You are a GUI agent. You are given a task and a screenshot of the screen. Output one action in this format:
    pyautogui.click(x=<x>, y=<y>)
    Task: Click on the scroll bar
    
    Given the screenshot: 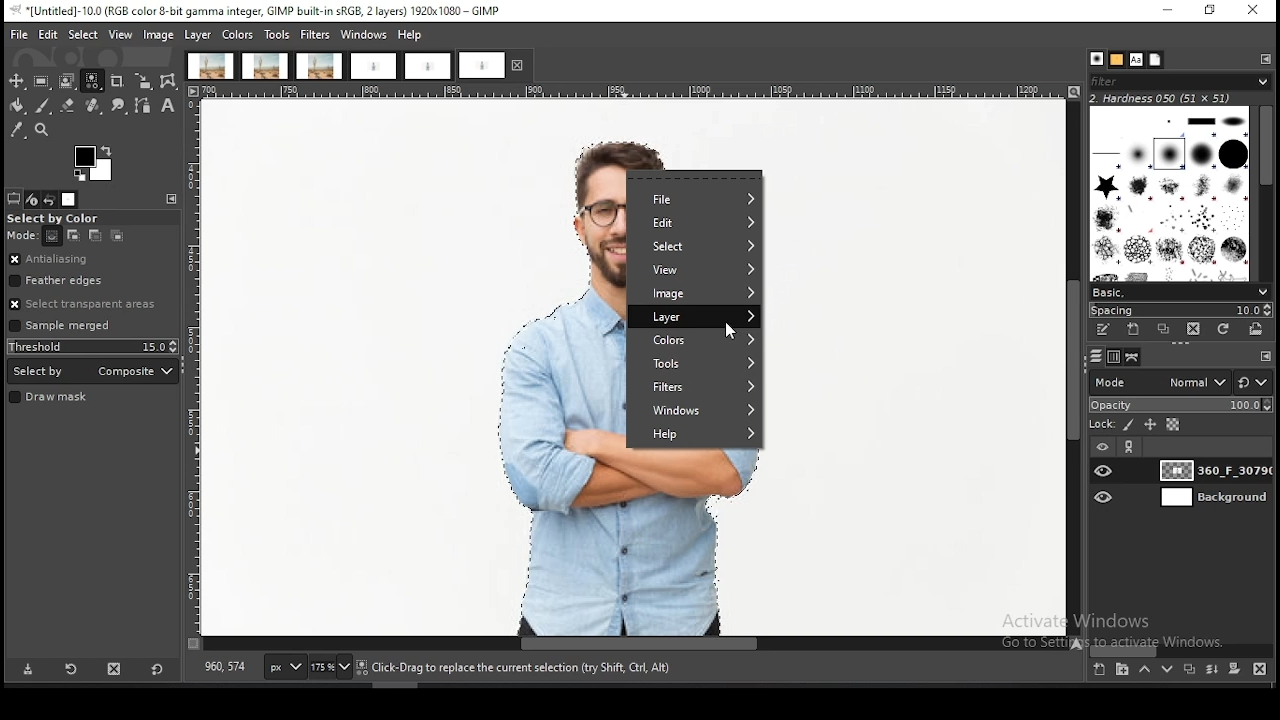 What is the action you would take?
    pyautogui.click(x=628, y=644)
    